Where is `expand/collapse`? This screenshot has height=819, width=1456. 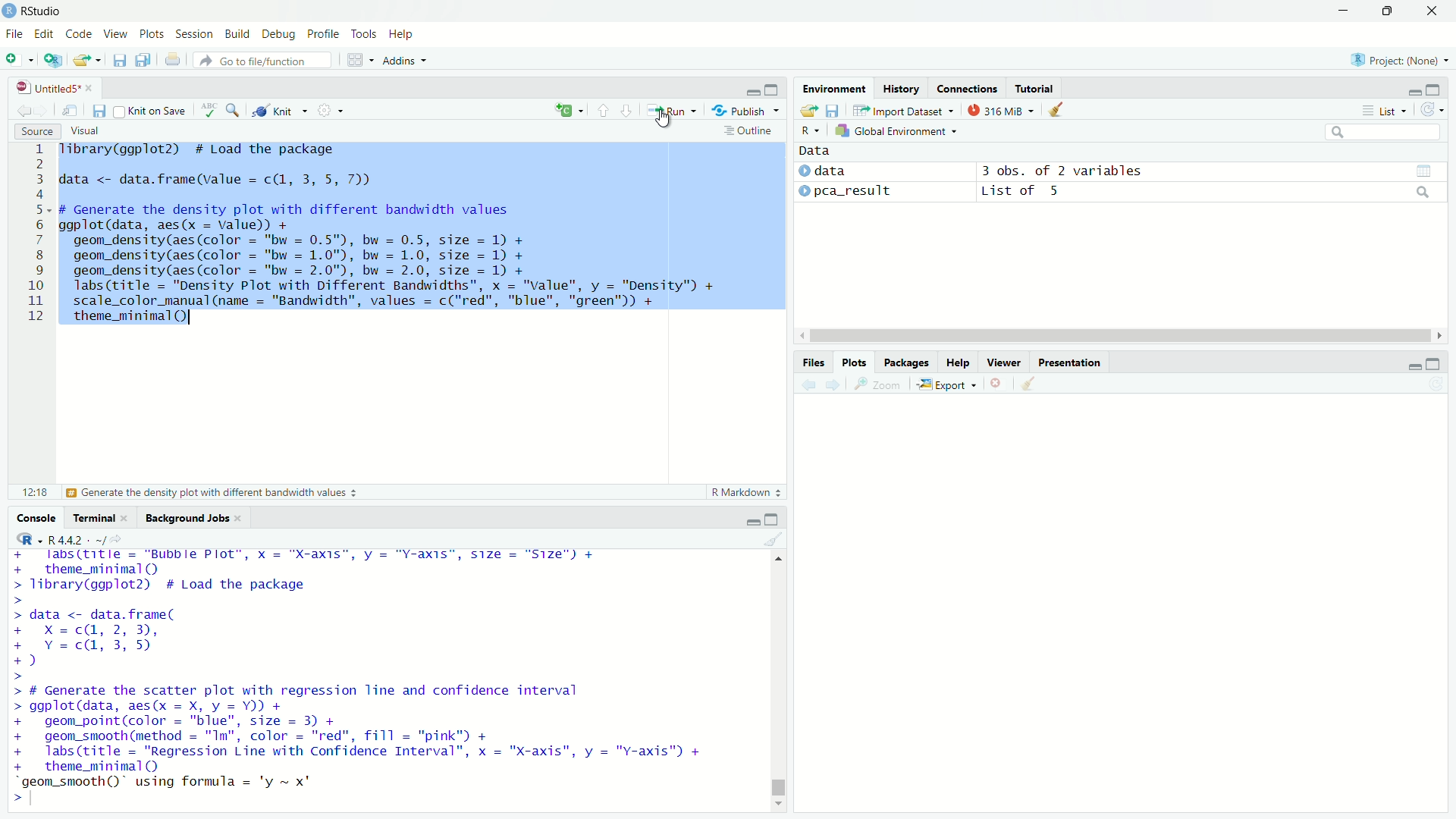 expand/collapse is located at coordinates (804, 190).